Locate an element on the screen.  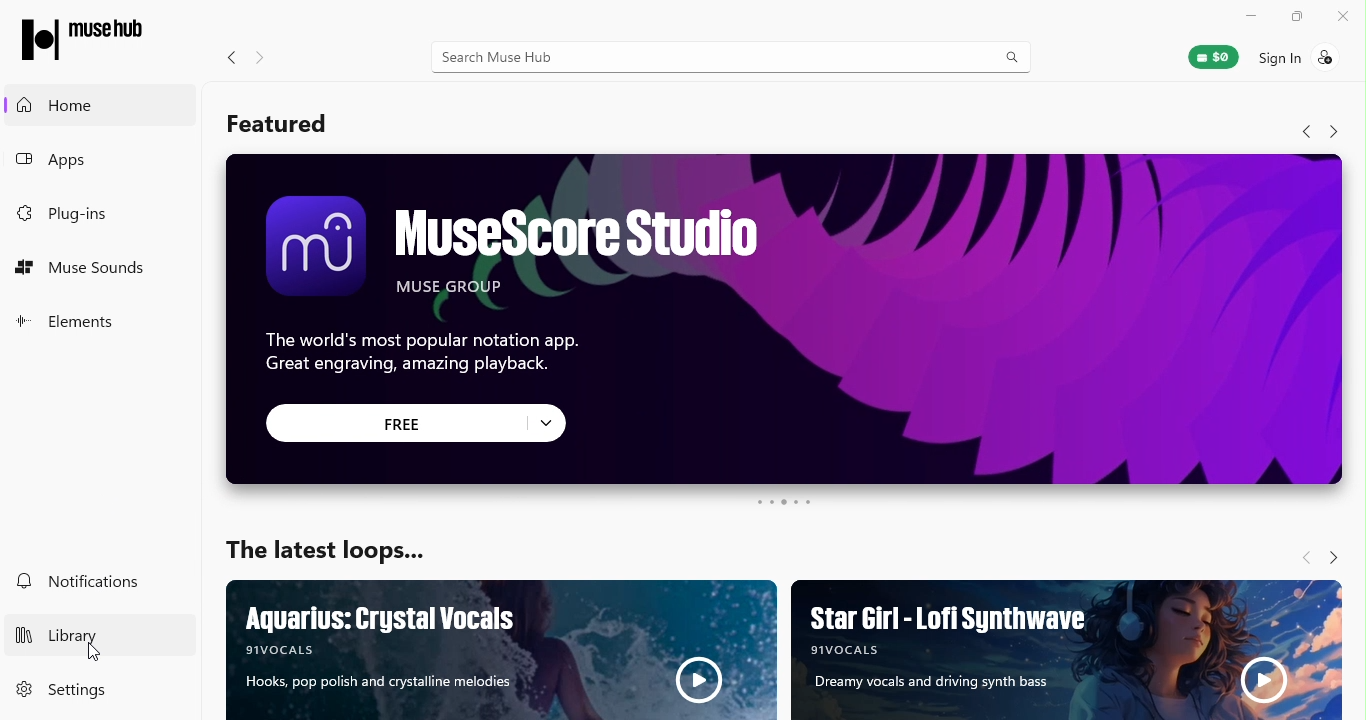
Apps is located at coordinates (79, 158).